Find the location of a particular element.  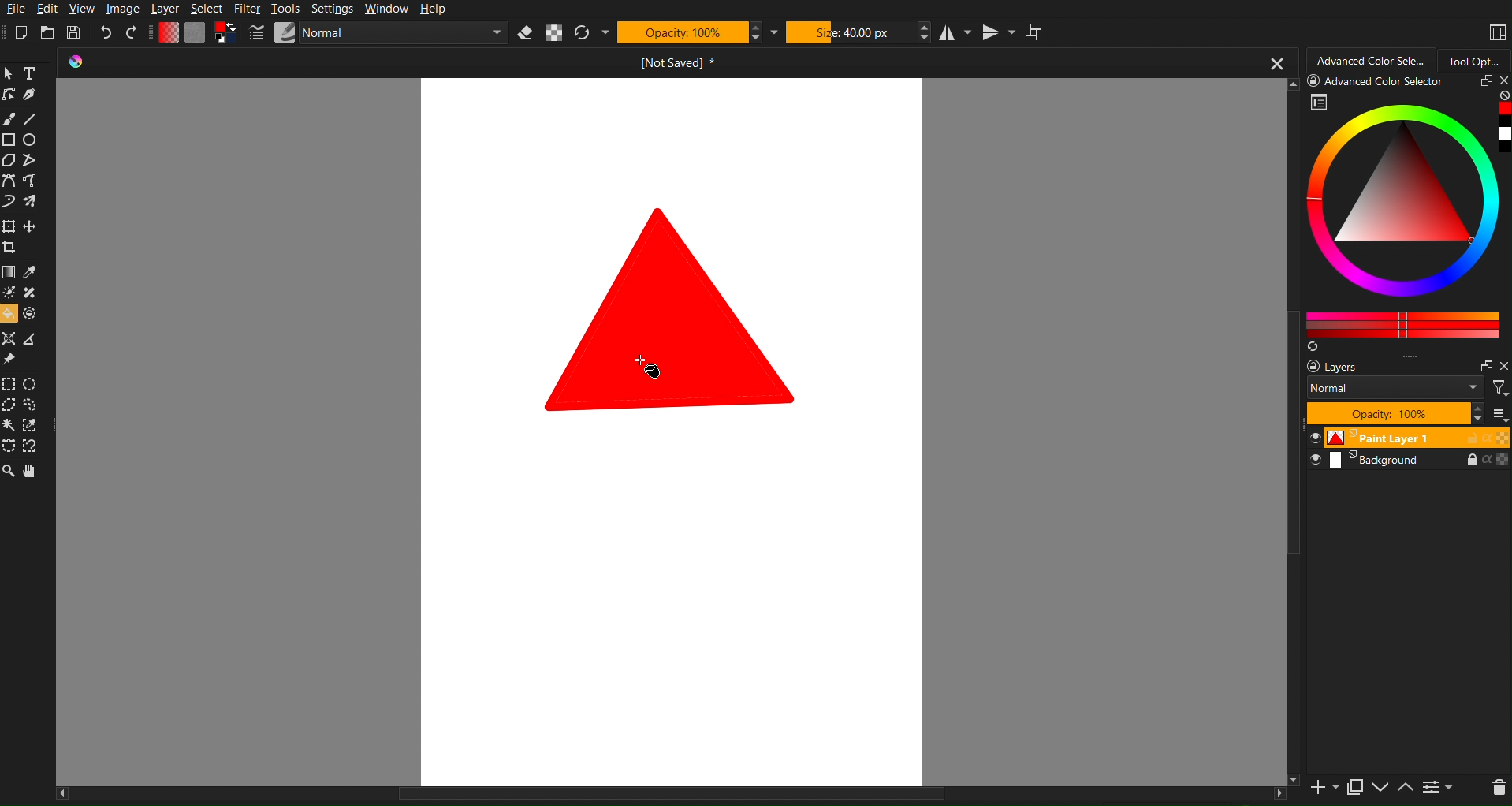

create a list of colors from the image is located at coordinates (1312, 348).